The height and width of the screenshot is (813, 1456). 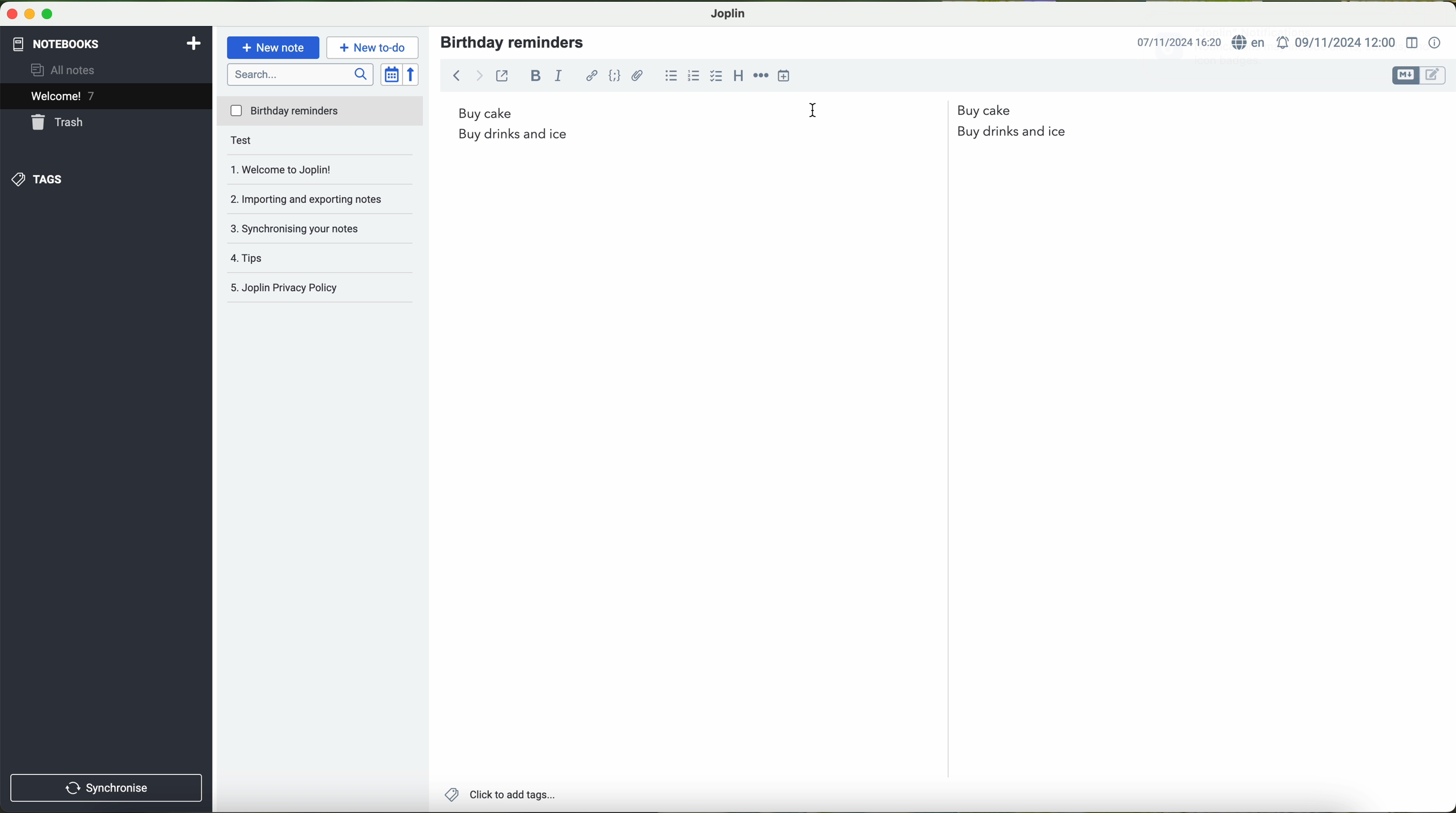 What do you see at coordinates (1305, 42) in the screenshot?
I see `date and hour` at bounding box center [1305, 42].